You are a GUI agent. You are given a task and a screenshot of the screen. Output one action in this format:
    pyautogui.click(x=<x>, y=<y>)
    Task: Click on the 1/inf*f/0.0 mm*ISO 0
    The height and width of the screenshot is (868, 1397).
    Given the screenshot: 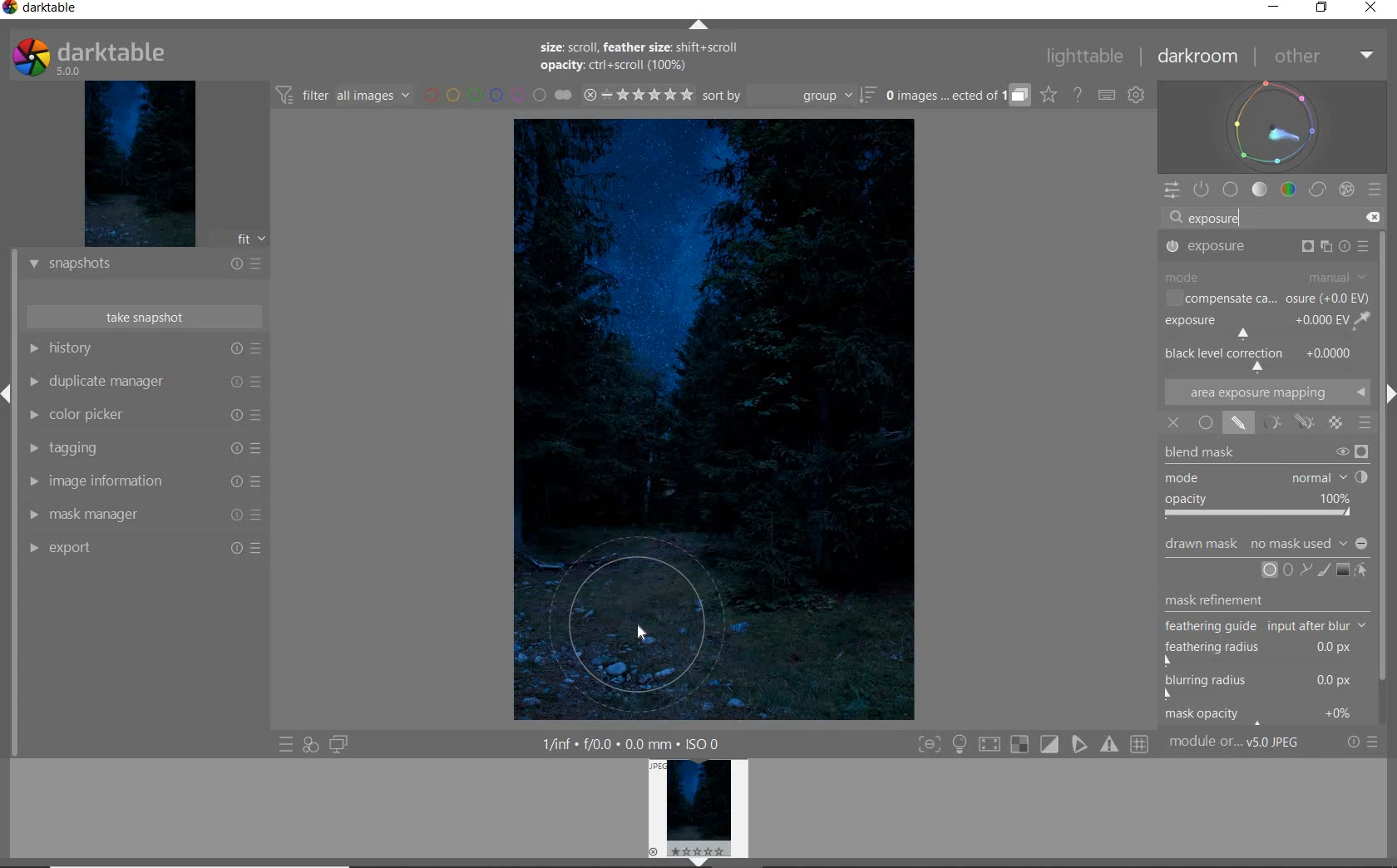 What is the action you would take?
    pyautogui.click(x=627, y=742)
    